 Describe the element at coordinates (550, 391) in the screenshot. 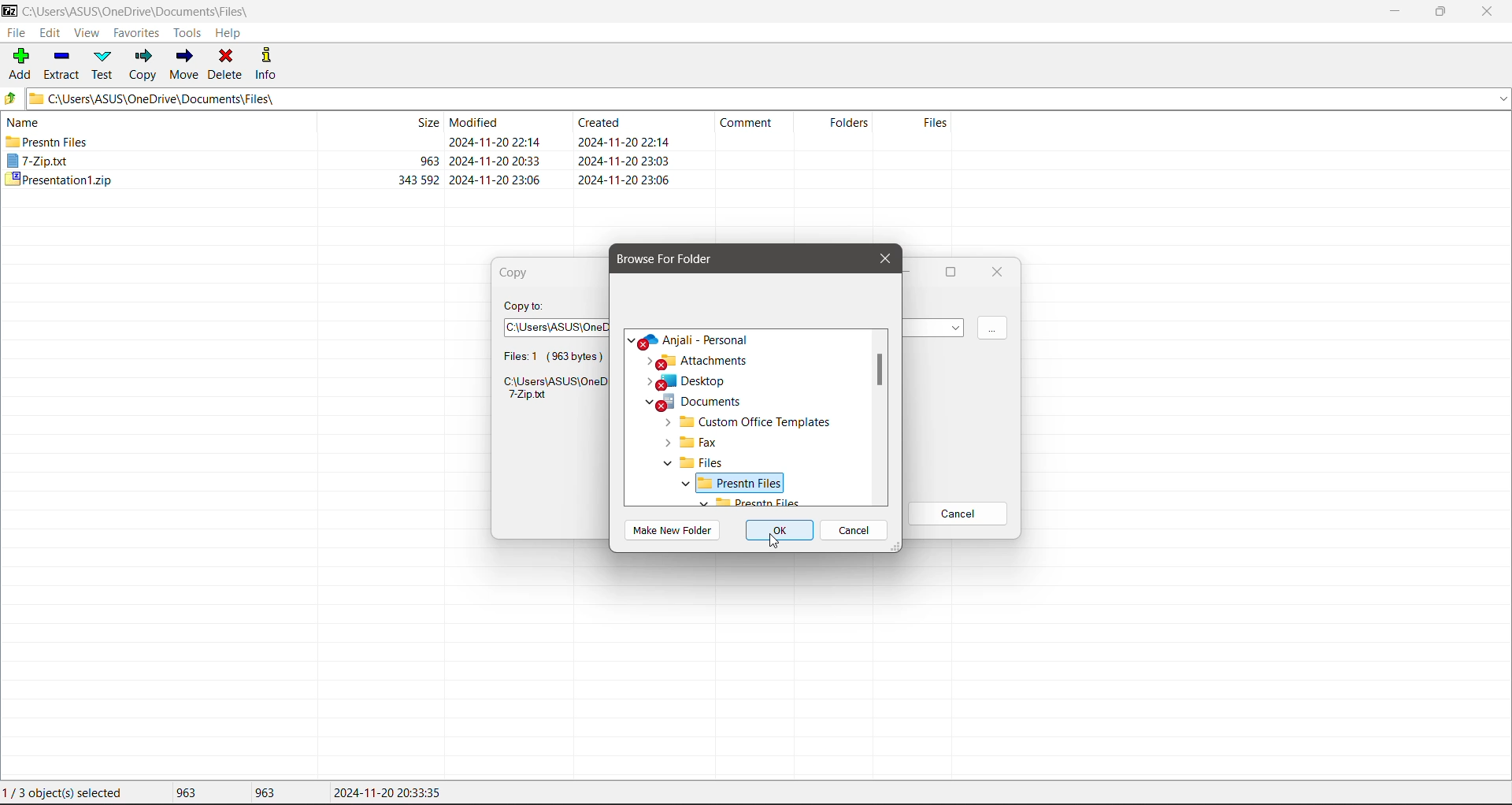

I see `Selected file location path` at that location.